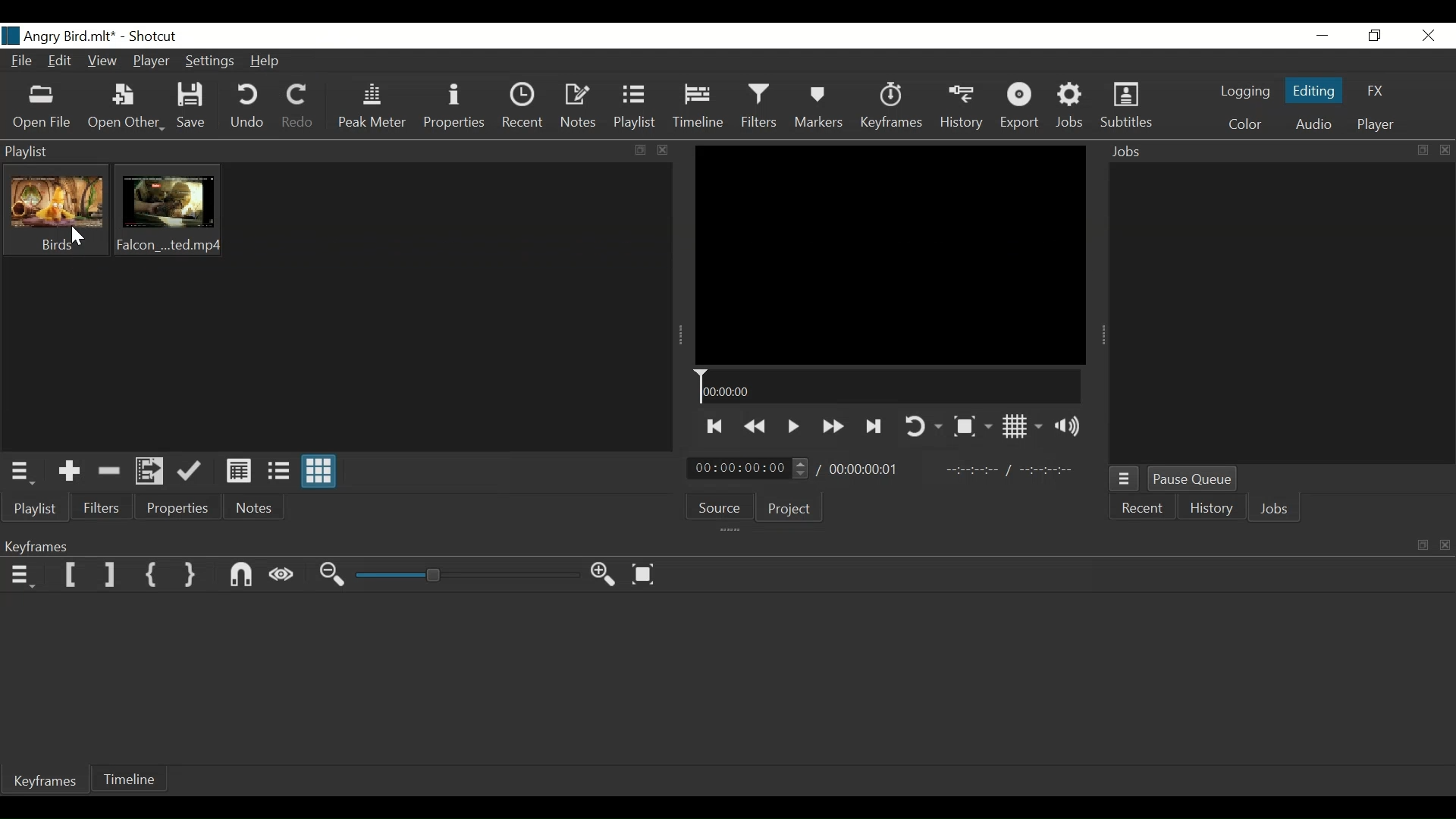  I want to click on Help, so click(267, 62).